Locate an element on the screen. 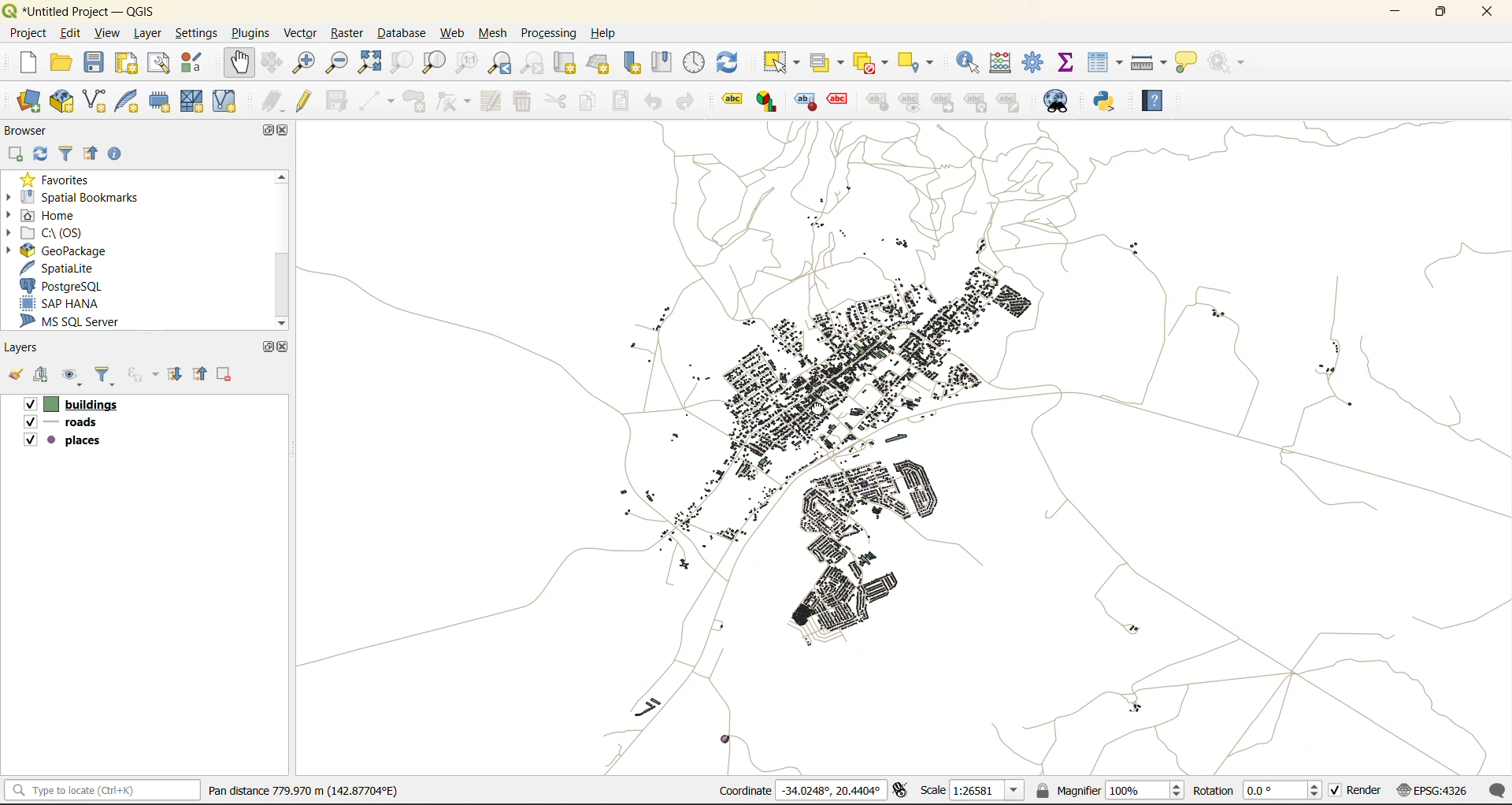 The width and height of the screenshot is (1512, 805). add geopackage is located at coordinates (64, 101).